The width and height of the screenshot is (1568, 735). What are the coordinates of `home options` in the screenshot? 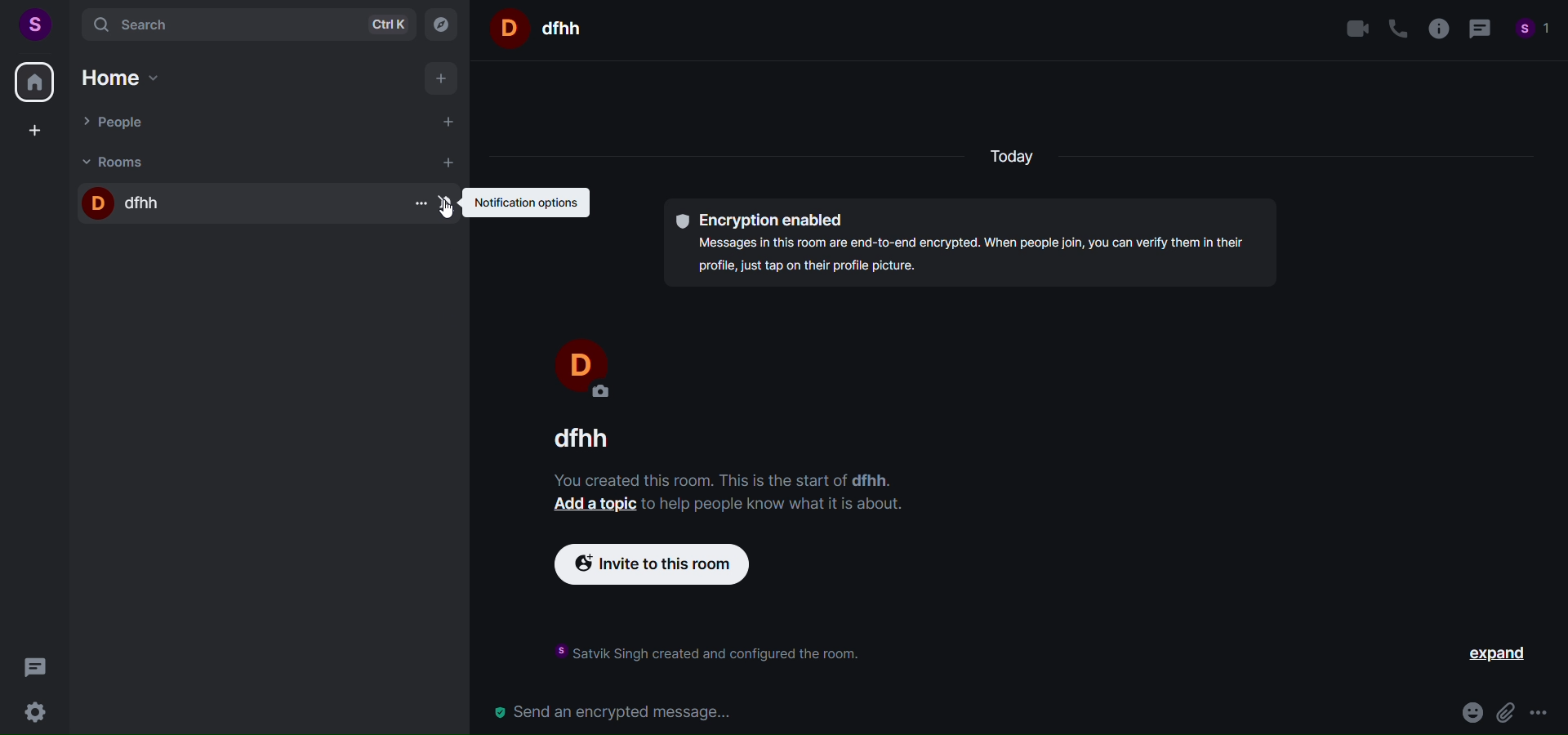 It's located at (132, 78).